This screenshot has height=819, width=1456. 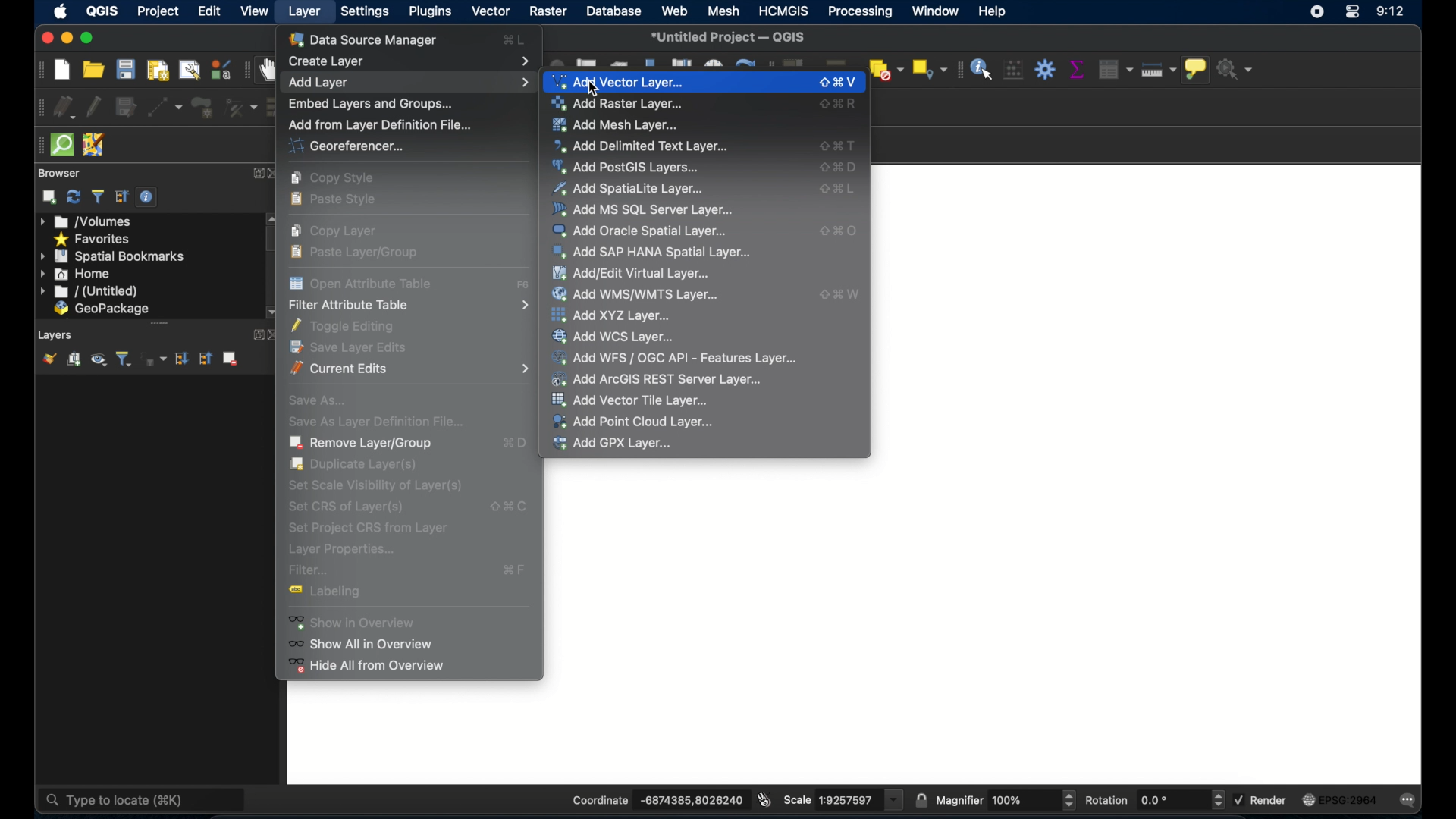 What do you see at coordinates (126, 107) in the screenshot?
I see `save edits` at bounding box center [126, 107].